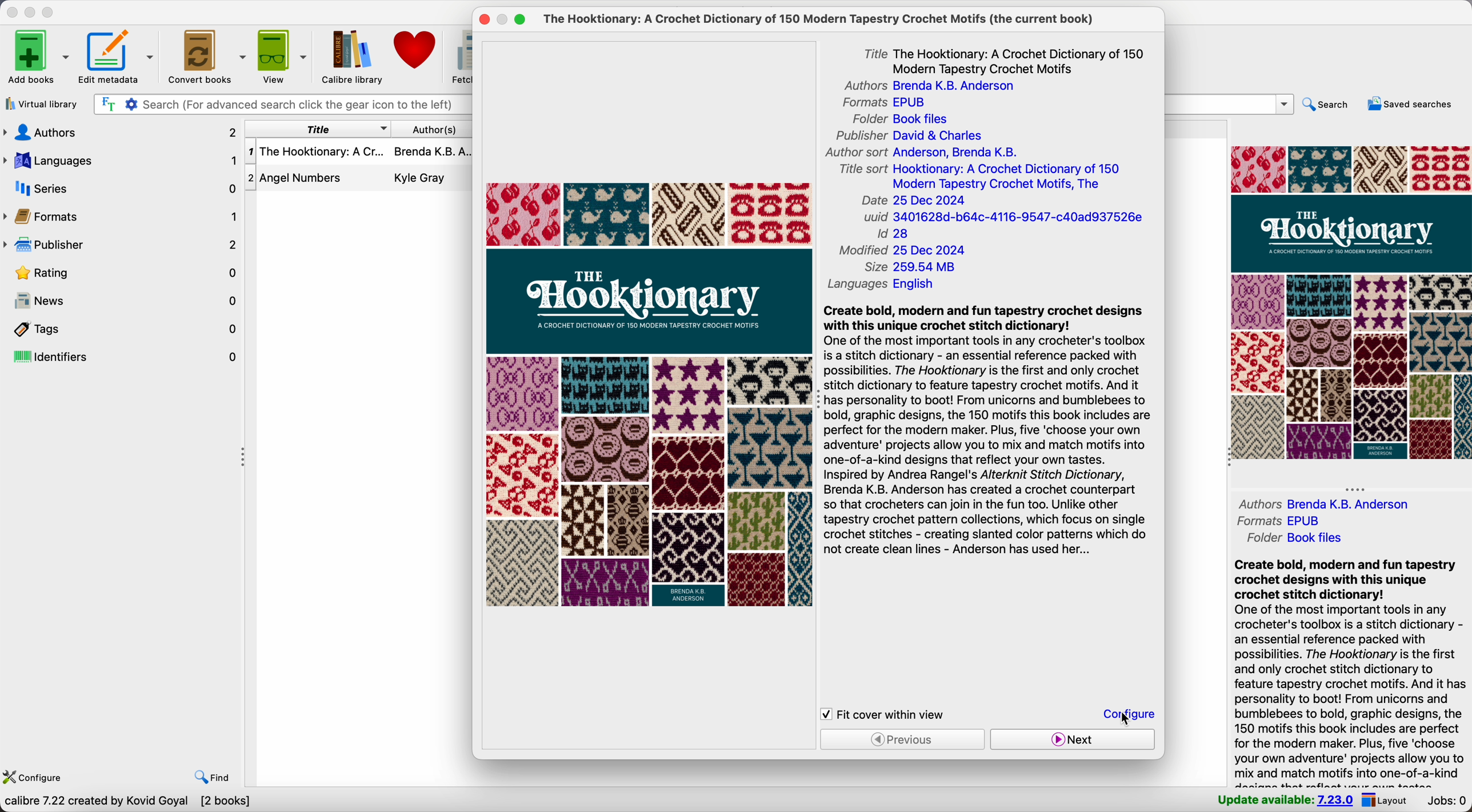  Describe the element at coordinates (12, 12) in the screenshot. I see `close` at that location.